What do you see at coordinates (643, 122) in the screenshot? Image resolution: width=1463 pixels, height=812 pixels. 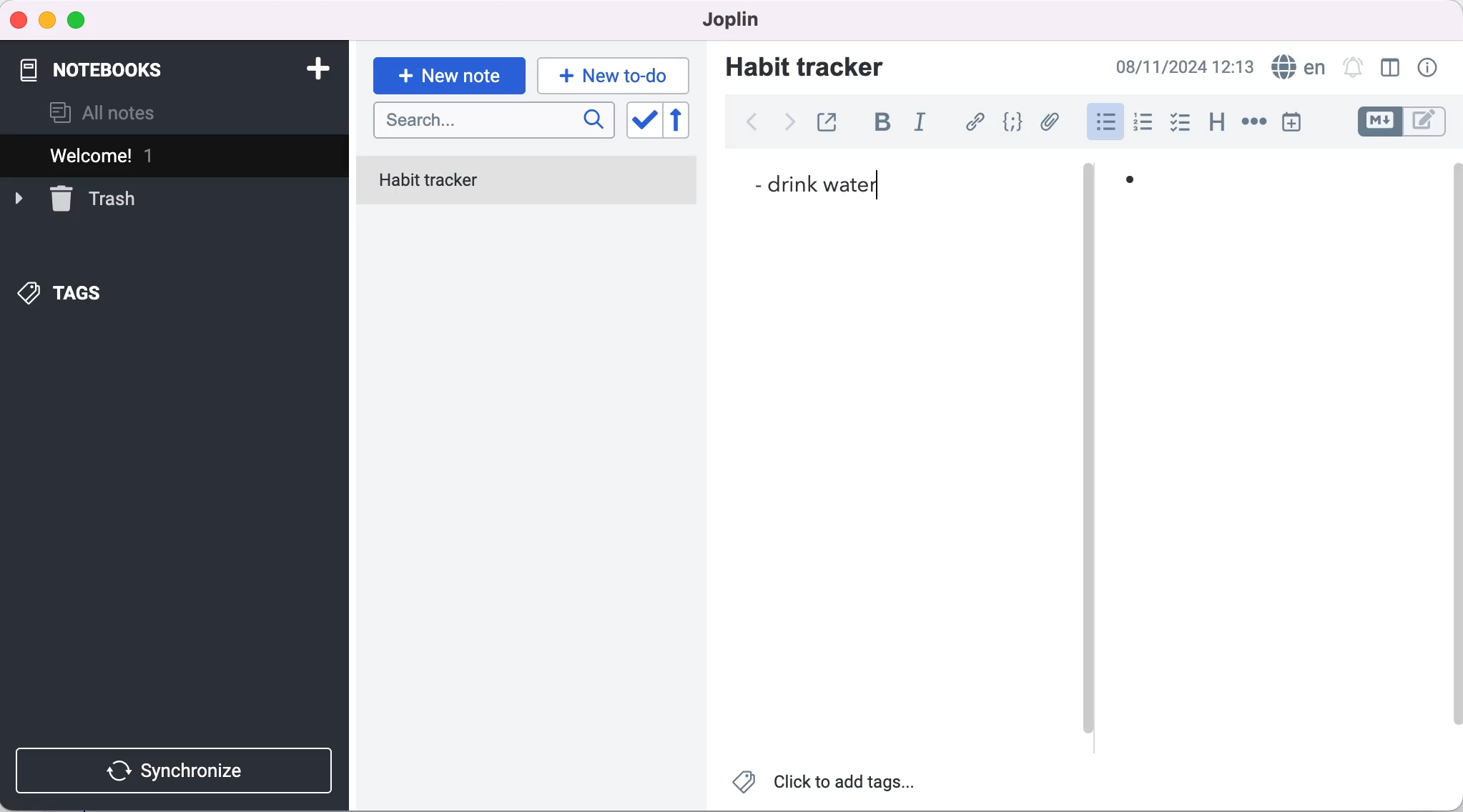 I see `toggle sort order field` at bounding box center [643, 122].